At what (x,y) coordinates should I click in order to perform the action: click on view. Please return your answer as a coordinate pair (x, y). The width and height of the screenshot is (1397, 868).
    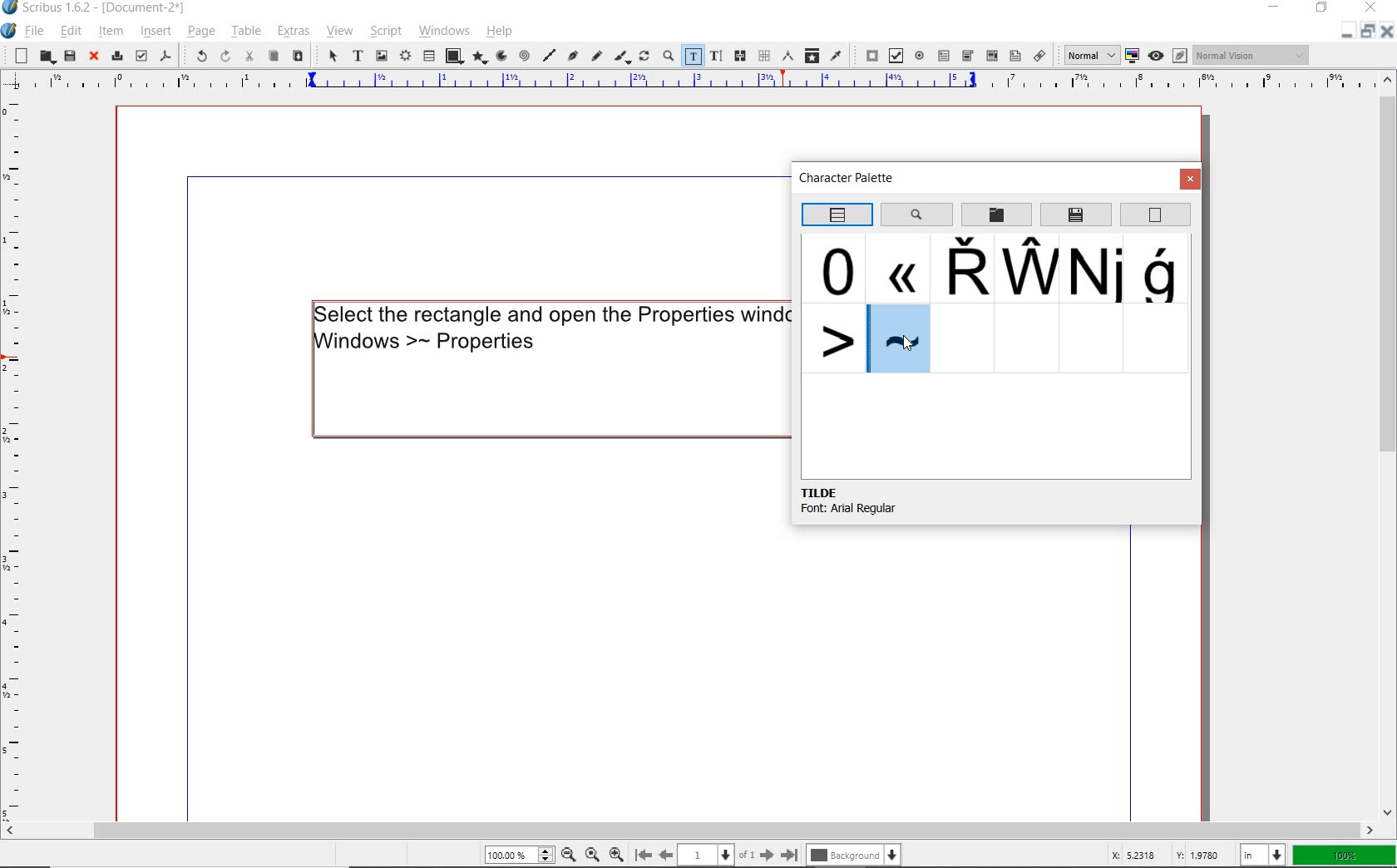
    Looking at the image, I should click on (338, 33).